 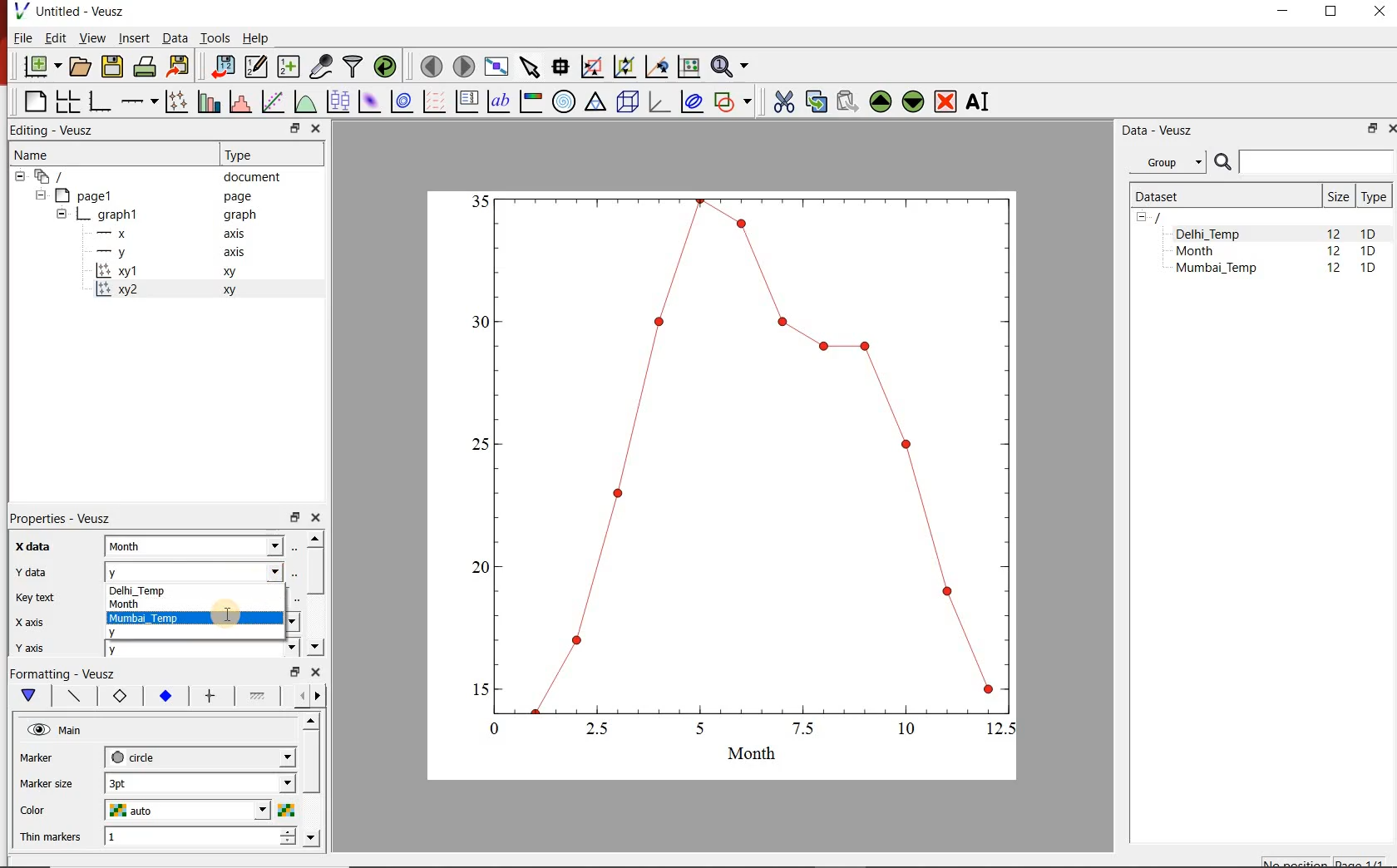 What do you see at coordinates (29, 571) in the screenshot?
I see `Y data` at bounding box center [29, 571].